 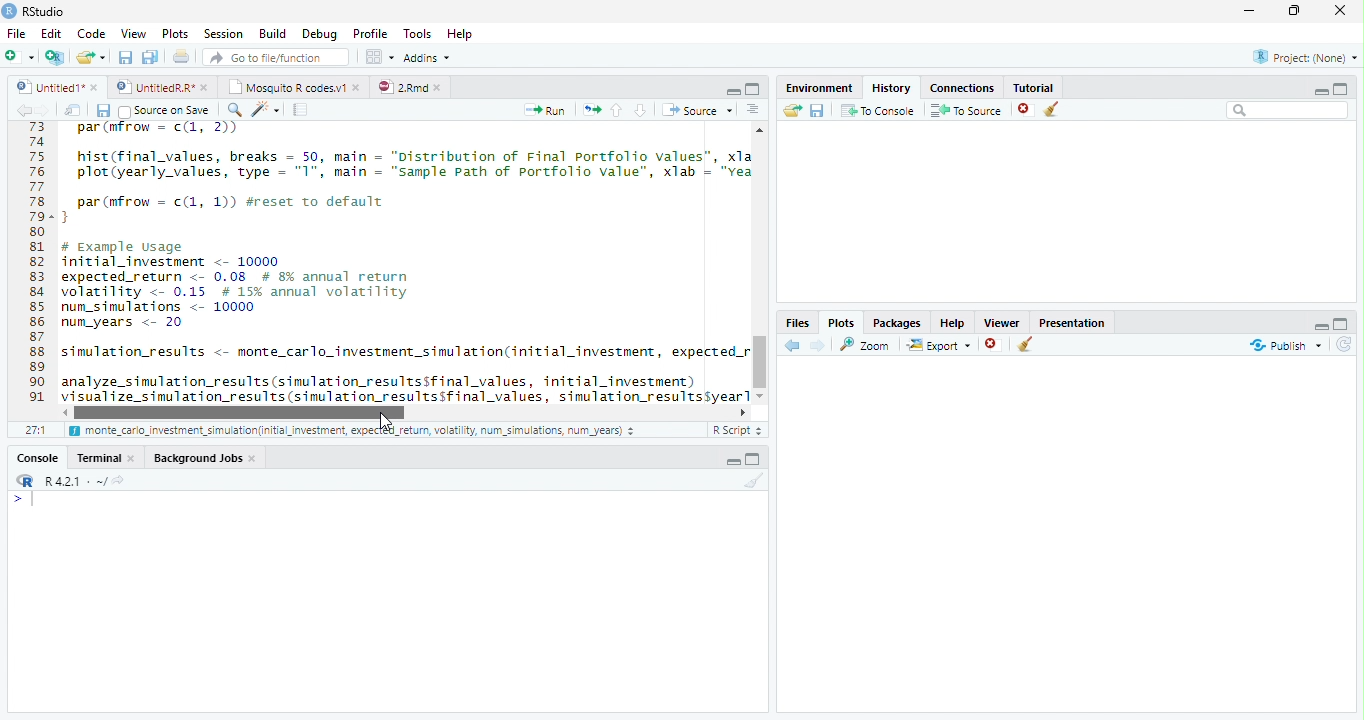 What do you see at coordinates (54, 57) in the screenshot?
I see `Create project` at bounding box center [54, 57].